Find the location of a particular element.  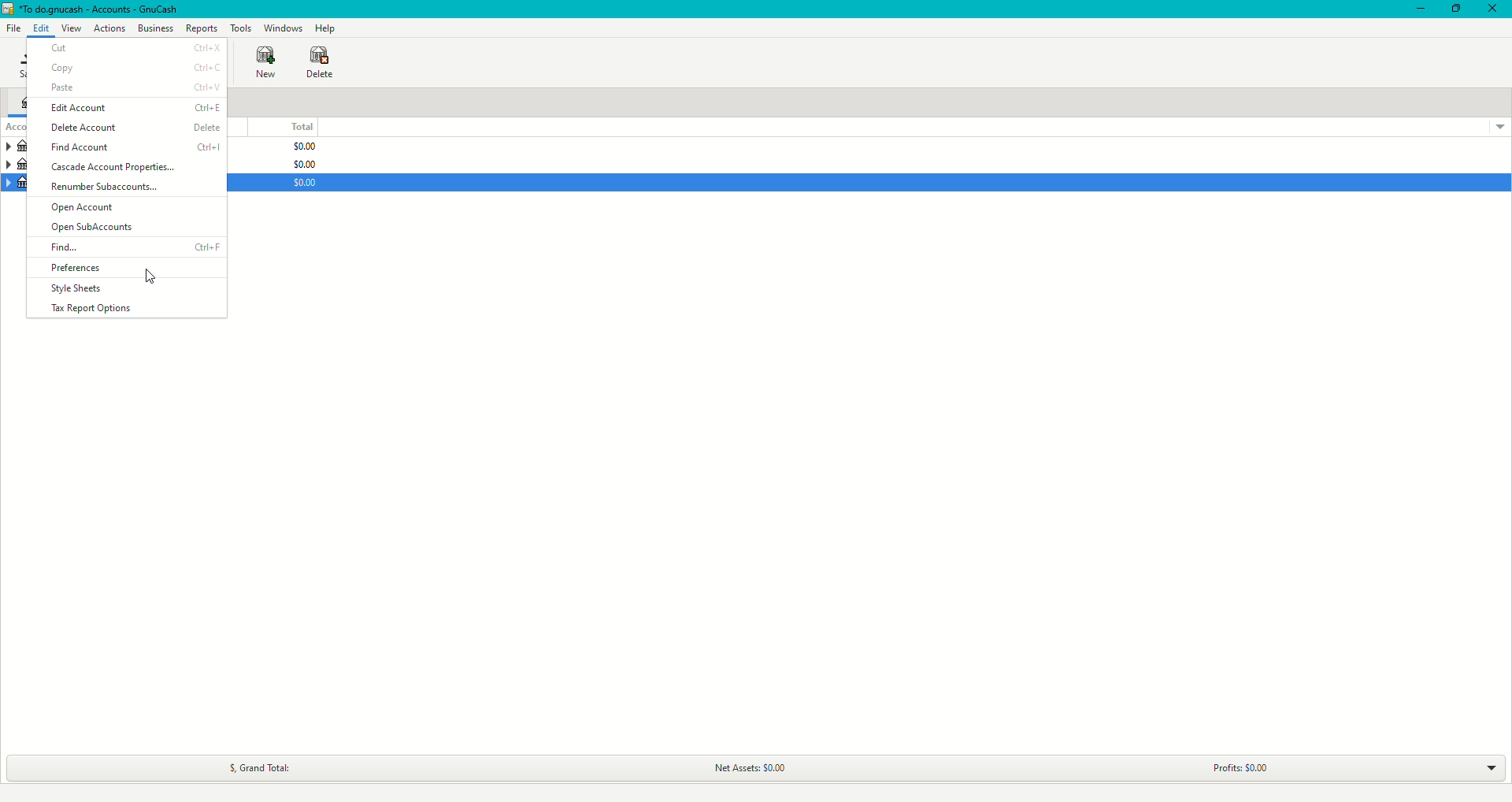

Open SubAccounts is located at coordinates (94, 227).